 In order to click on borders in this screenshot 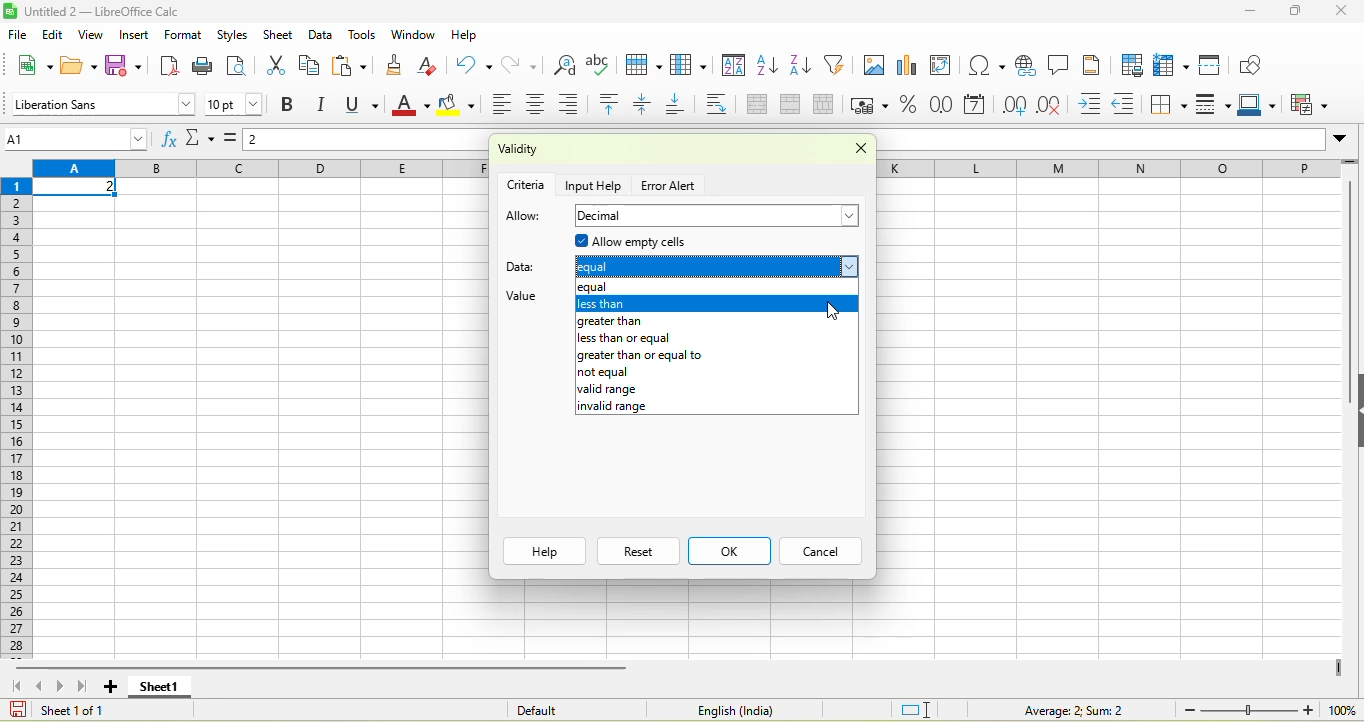, I will do `click(1170, 105)`.